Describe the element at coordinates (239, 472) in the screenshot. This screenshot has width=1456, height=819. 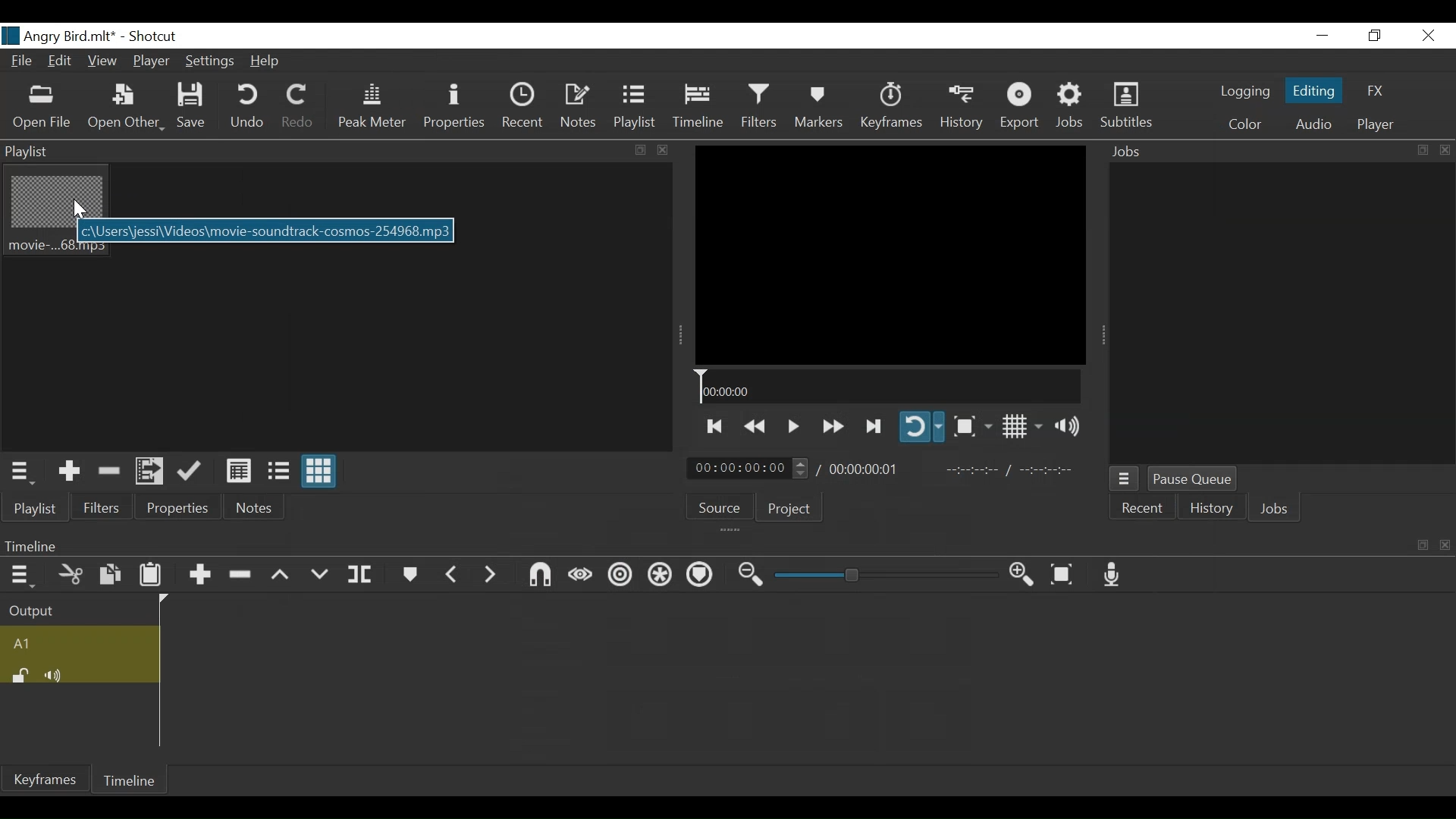
I see `View as Details` at that location.